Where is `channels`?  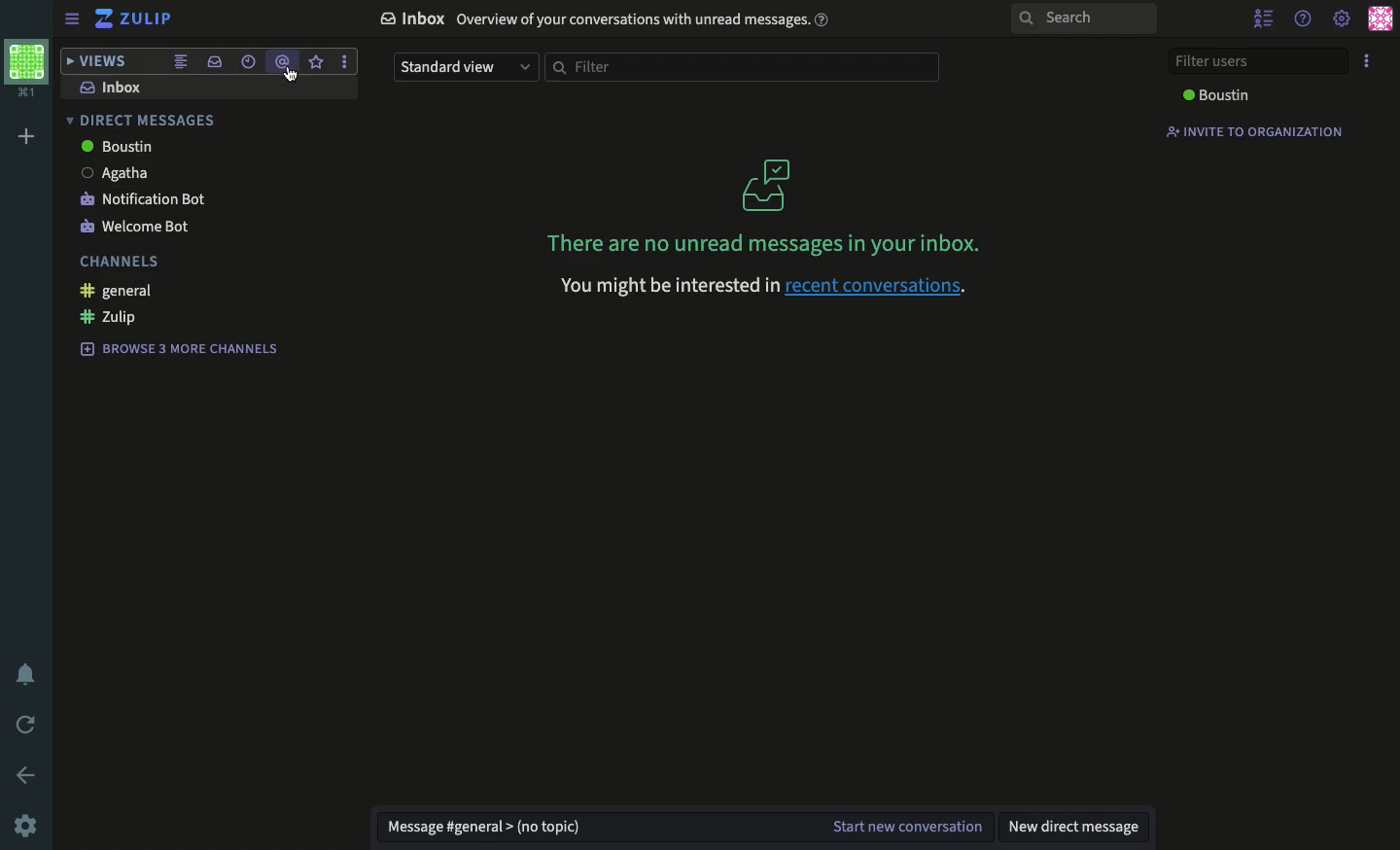
channels is located at coordinates (122, 260).